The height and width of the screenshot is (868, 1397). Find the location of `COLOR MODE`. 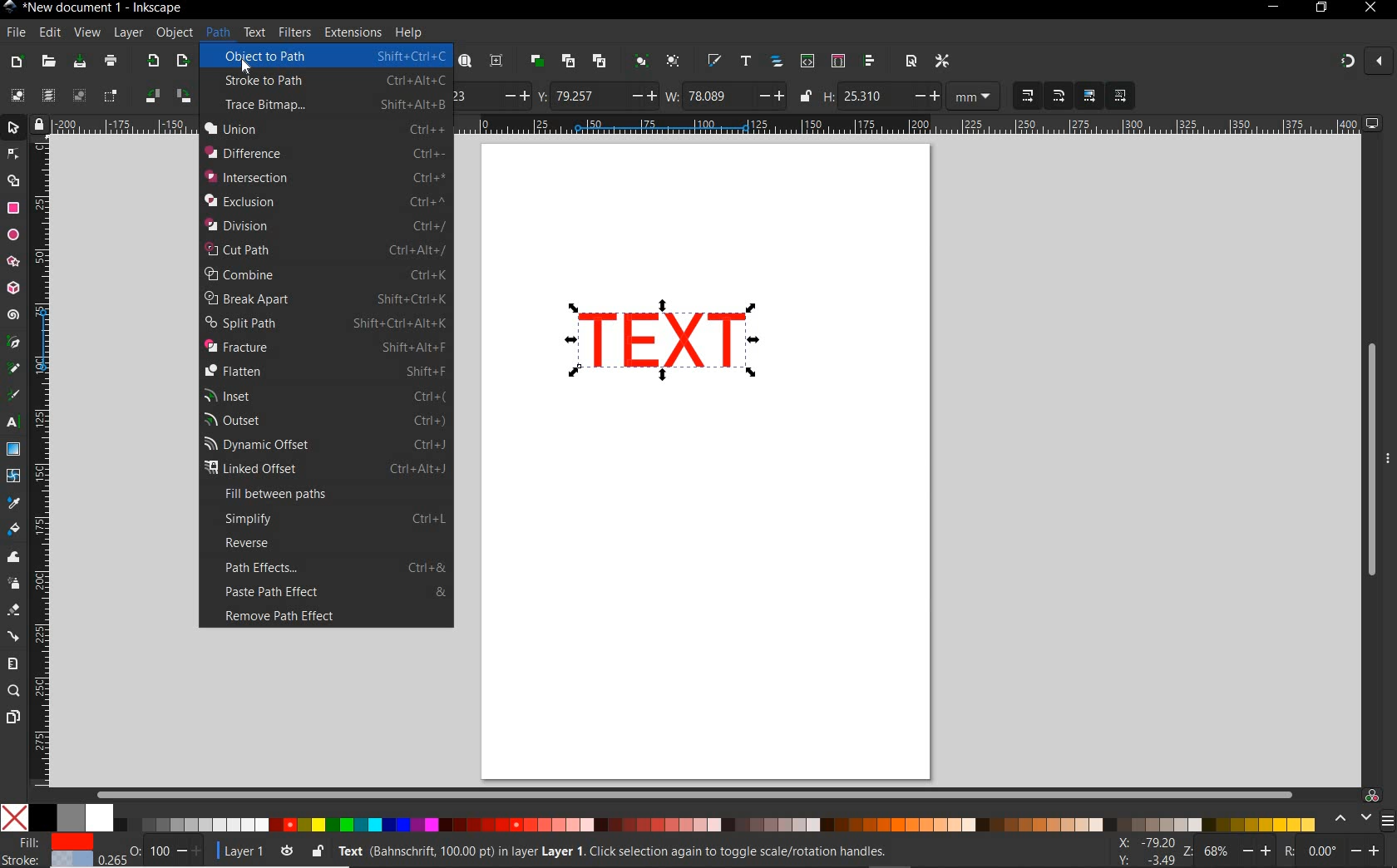

COLOR MODE is located at coordinates (658, 817).